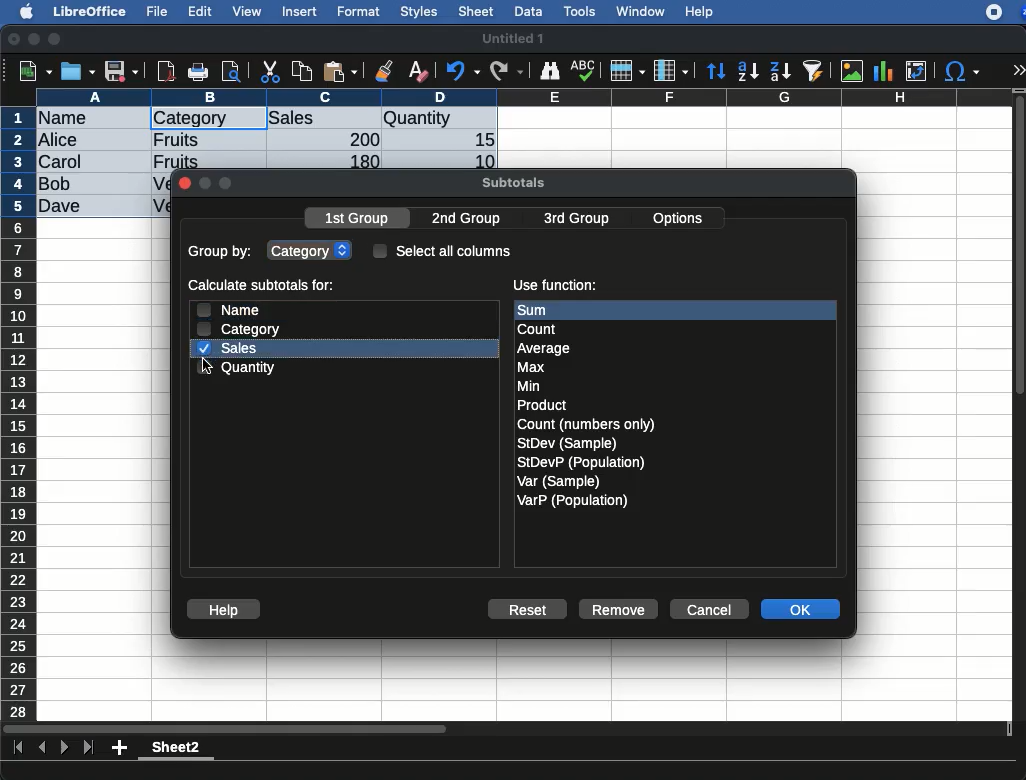 The width and height of the screenshot is (1026, 780). Describe the element at coordinates (91, 11) in the screenshot. I see `libreoffice` at that location.